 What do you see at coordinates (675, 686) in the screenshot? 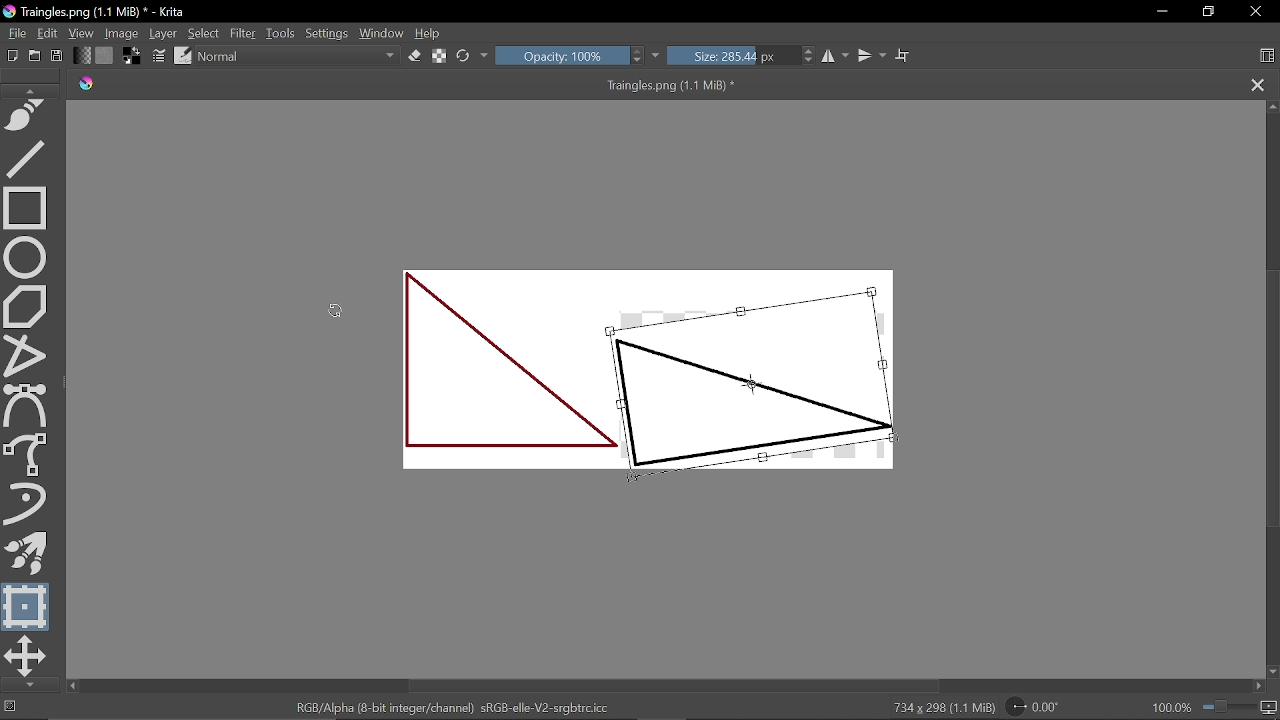
I see `Horizontal scrollbar` at bounding box center [675, 686].